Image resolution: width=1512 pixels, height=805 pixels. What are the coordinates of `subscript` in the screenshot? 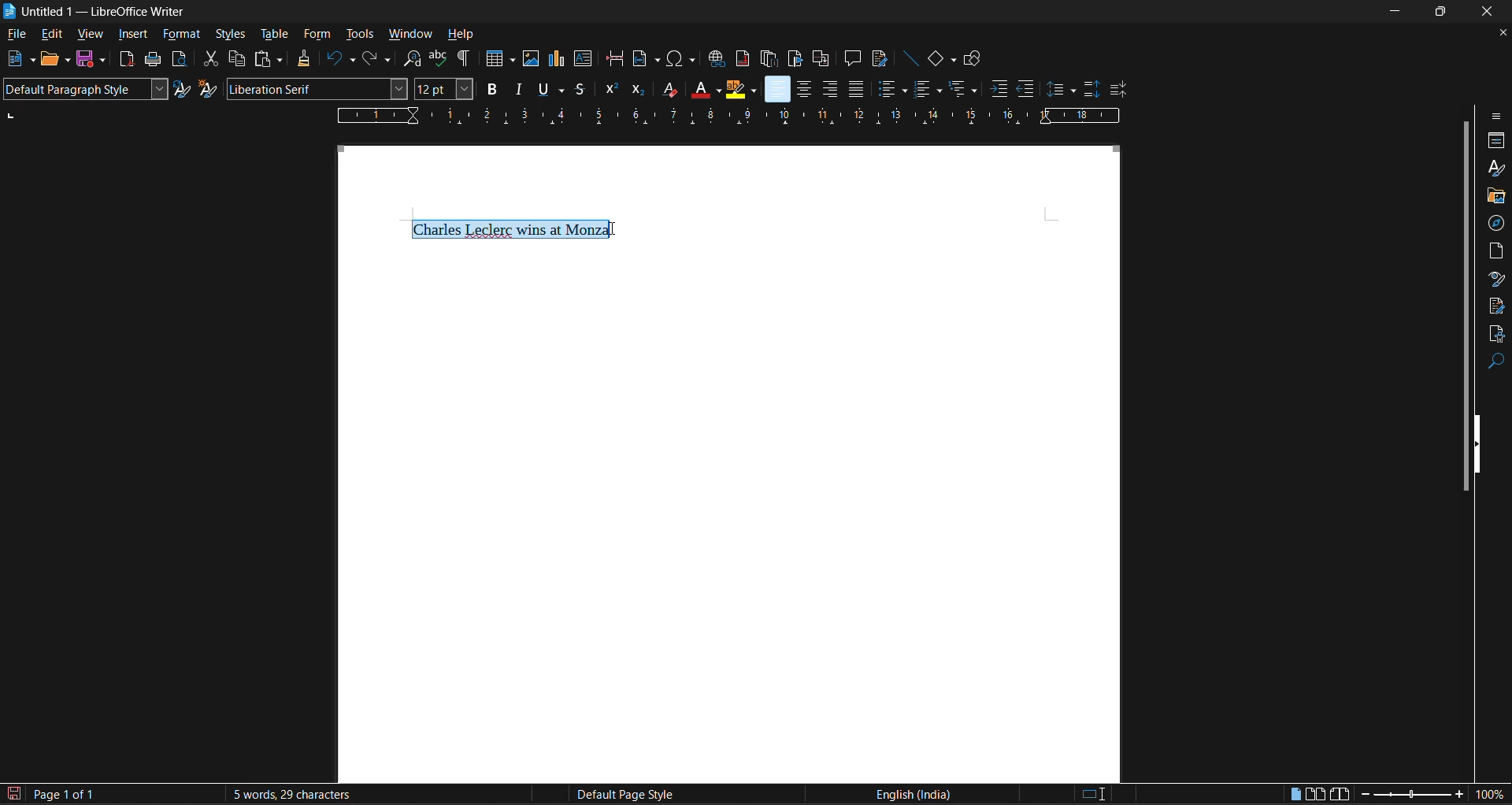 It's located at (639, 90).